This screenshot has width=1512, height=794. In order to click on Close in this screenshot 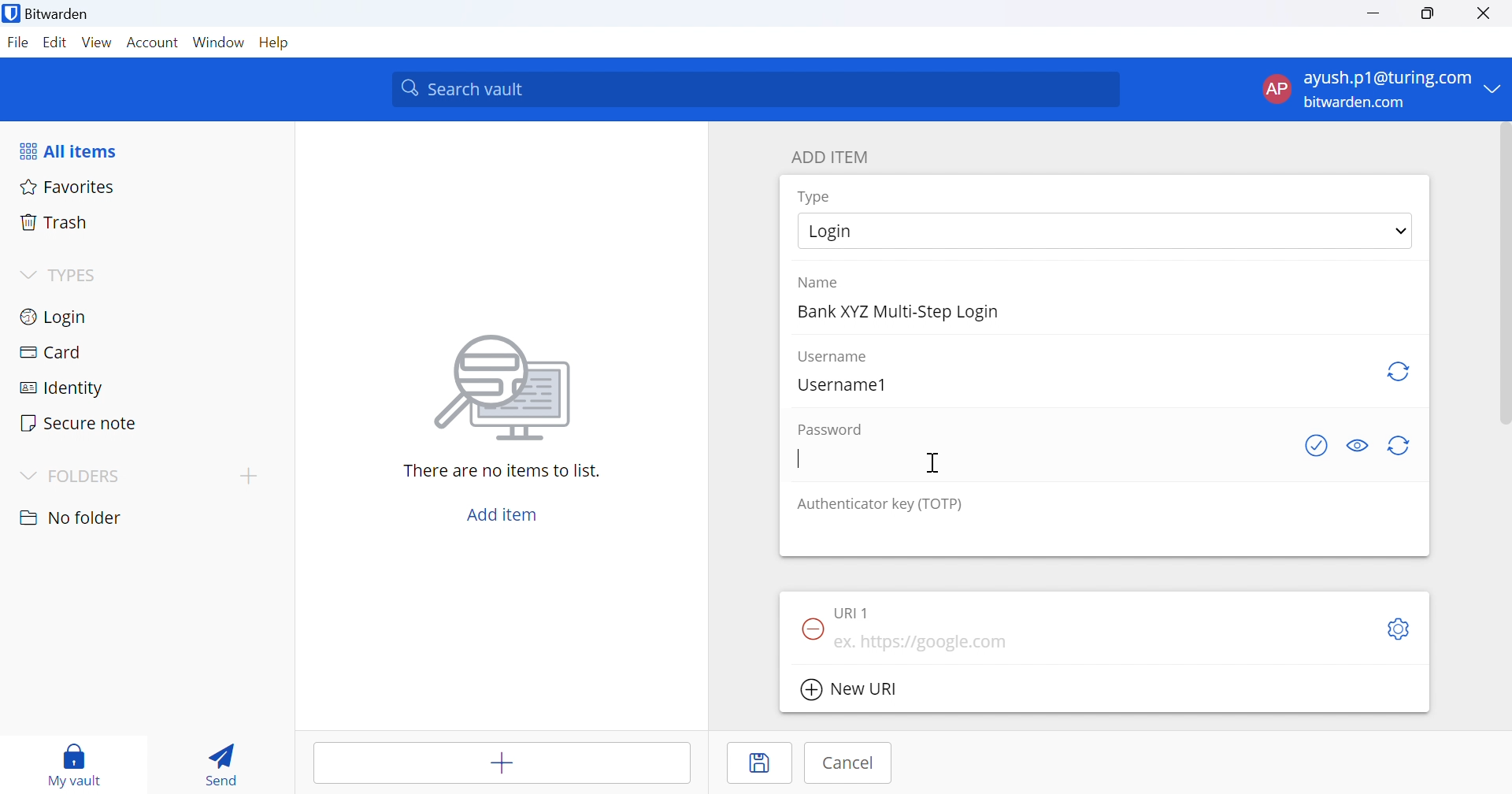, I will do `click(1486, 15)`.